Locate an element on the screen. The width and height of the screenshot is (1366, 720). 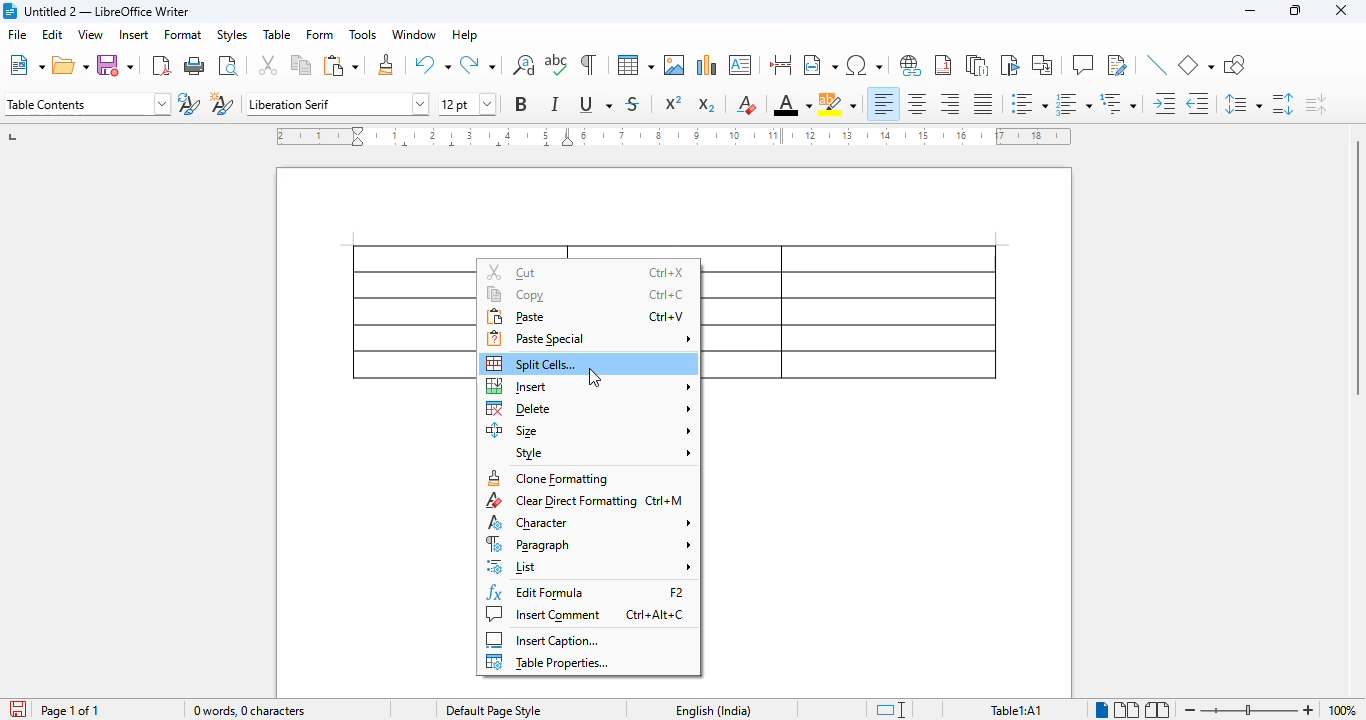
list is located at coordinates (590, 566).